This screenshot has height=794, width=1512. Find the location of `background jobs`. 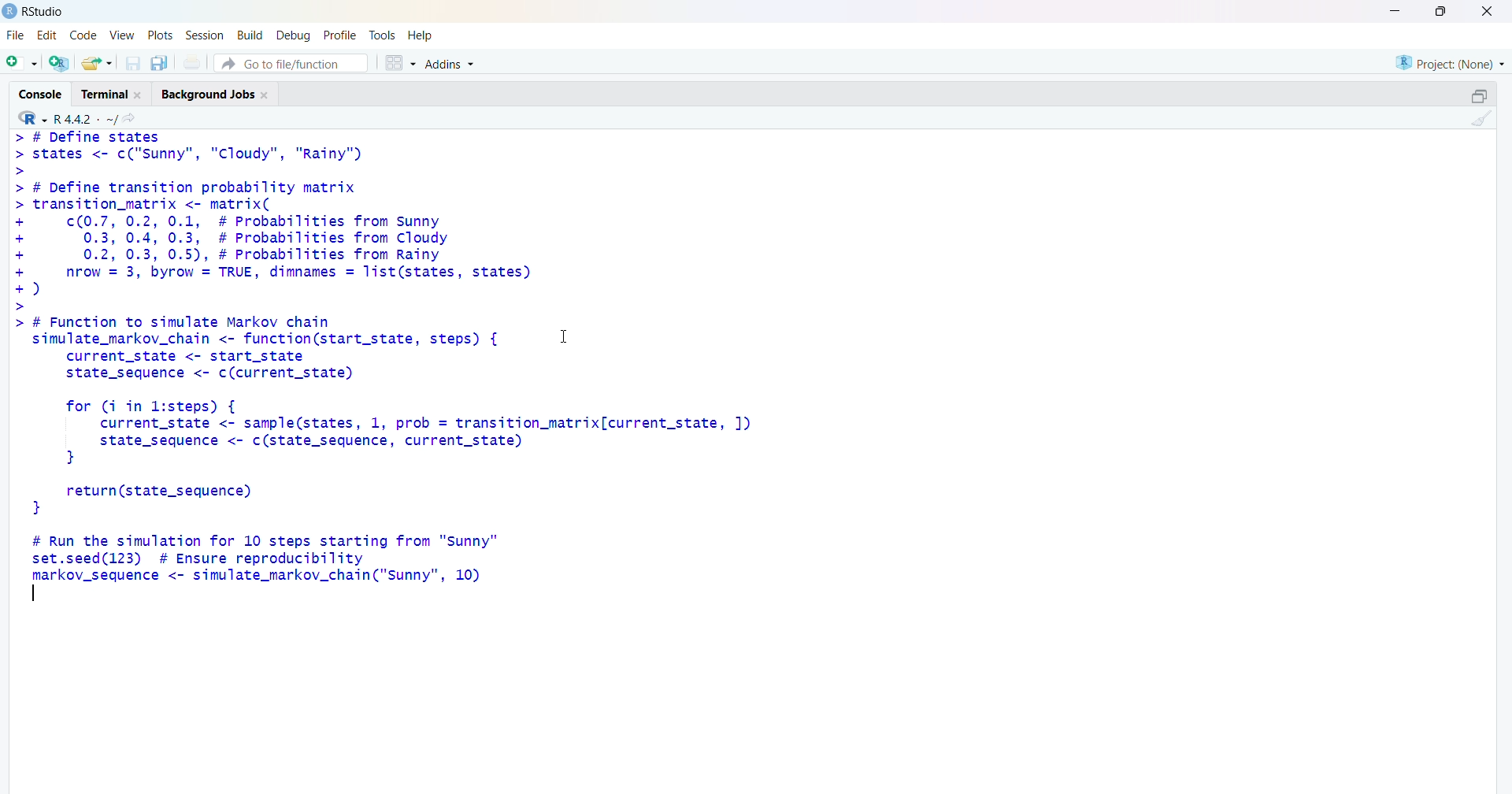

background jobs is located at coordinates (220, 95).